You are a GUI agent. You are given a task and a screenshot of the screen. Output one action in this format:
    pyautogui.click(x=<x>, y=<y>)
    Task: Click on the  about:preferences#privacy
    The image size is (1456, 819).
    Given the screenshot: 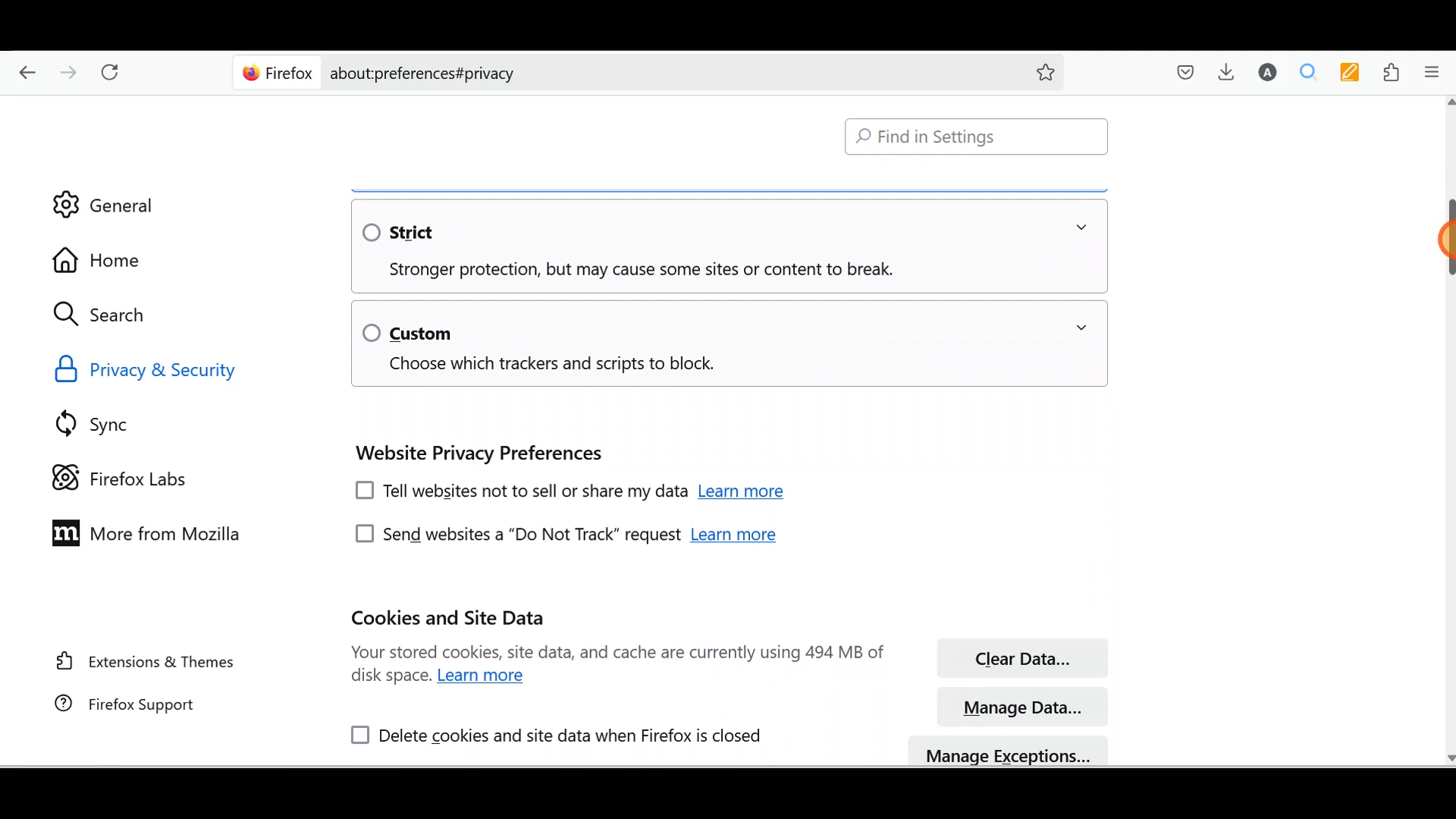 What is the action you would take?
    pyautogui.click(x=669, y=74)
    